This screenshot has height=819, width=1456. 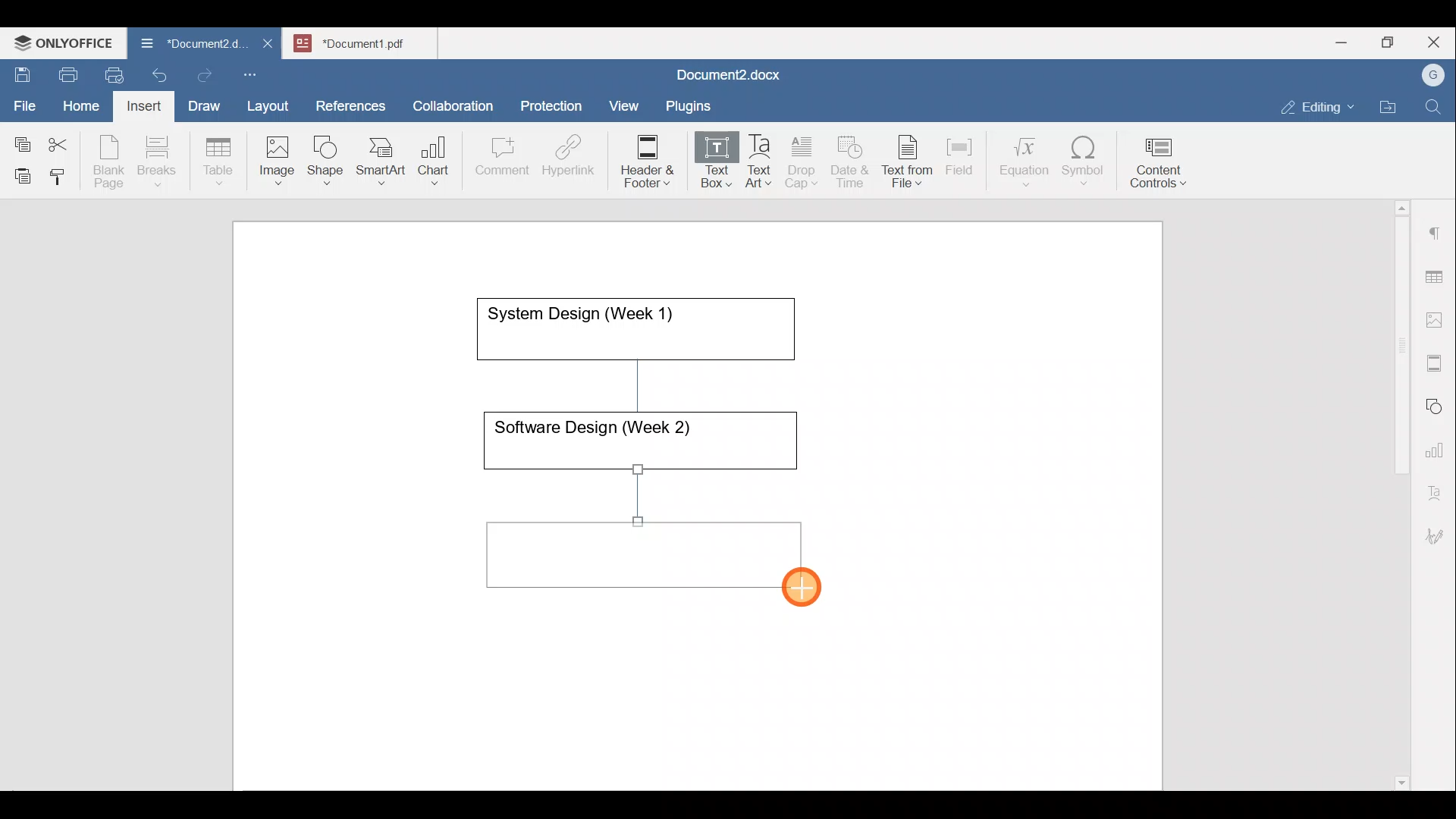 What do you see at coordinates (1439, 531) in the screenshot?
I see `Signature settings` at bounding box center [1439, 531].